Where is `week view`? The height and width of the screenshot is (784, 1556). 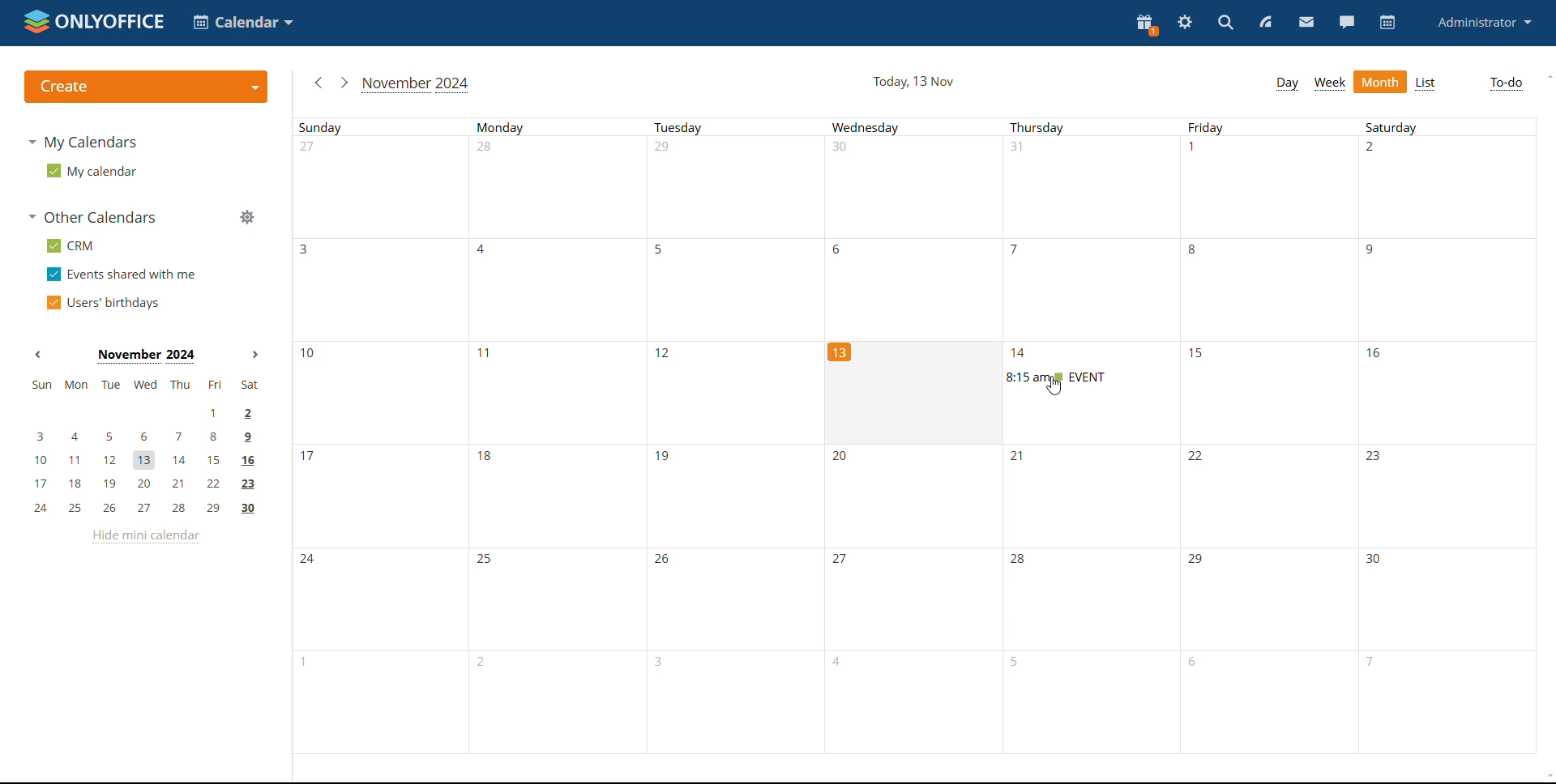
week view is located at coordinates (1331, 83).